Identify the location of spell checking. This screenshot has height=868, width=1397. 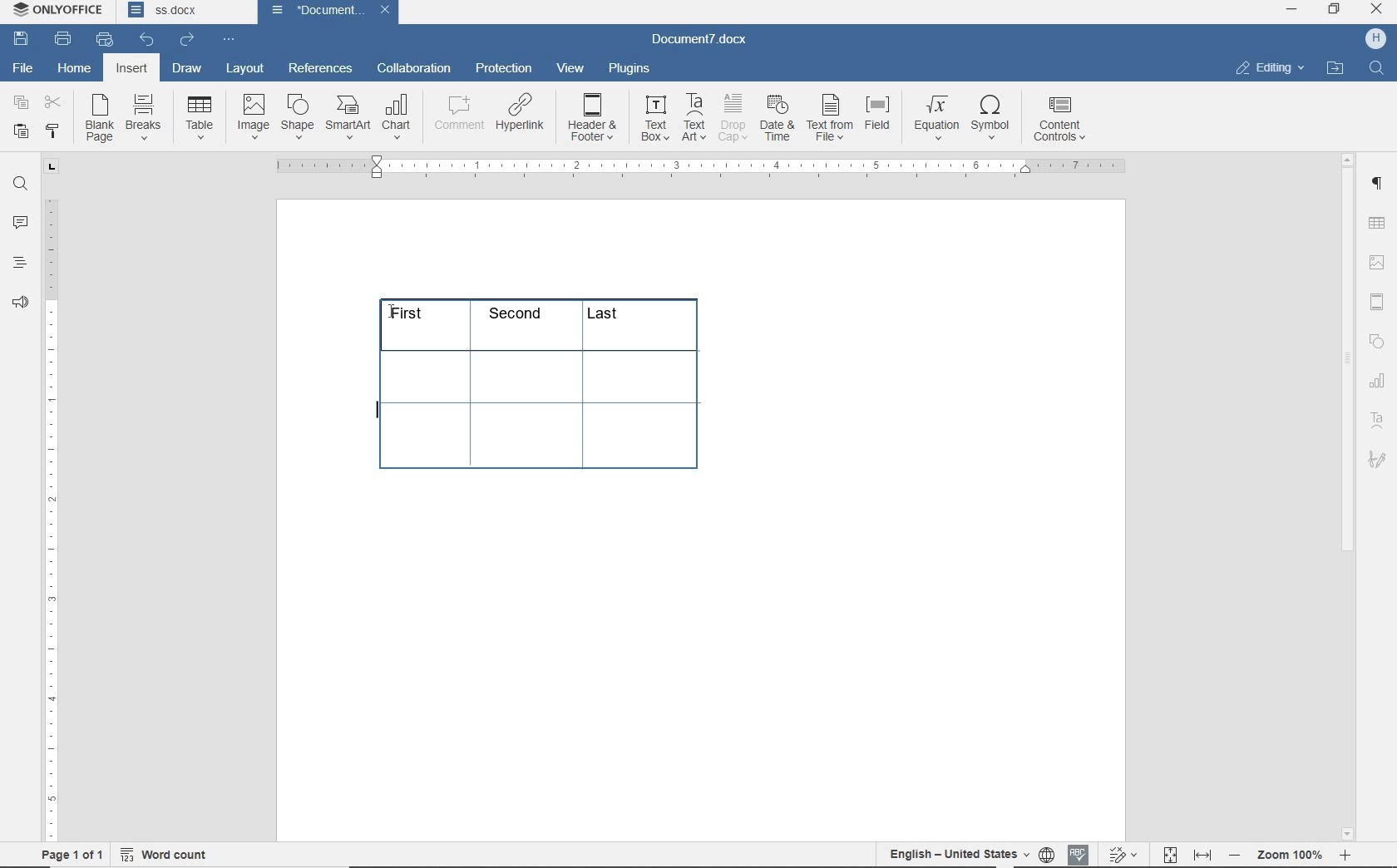
(1079, 853).